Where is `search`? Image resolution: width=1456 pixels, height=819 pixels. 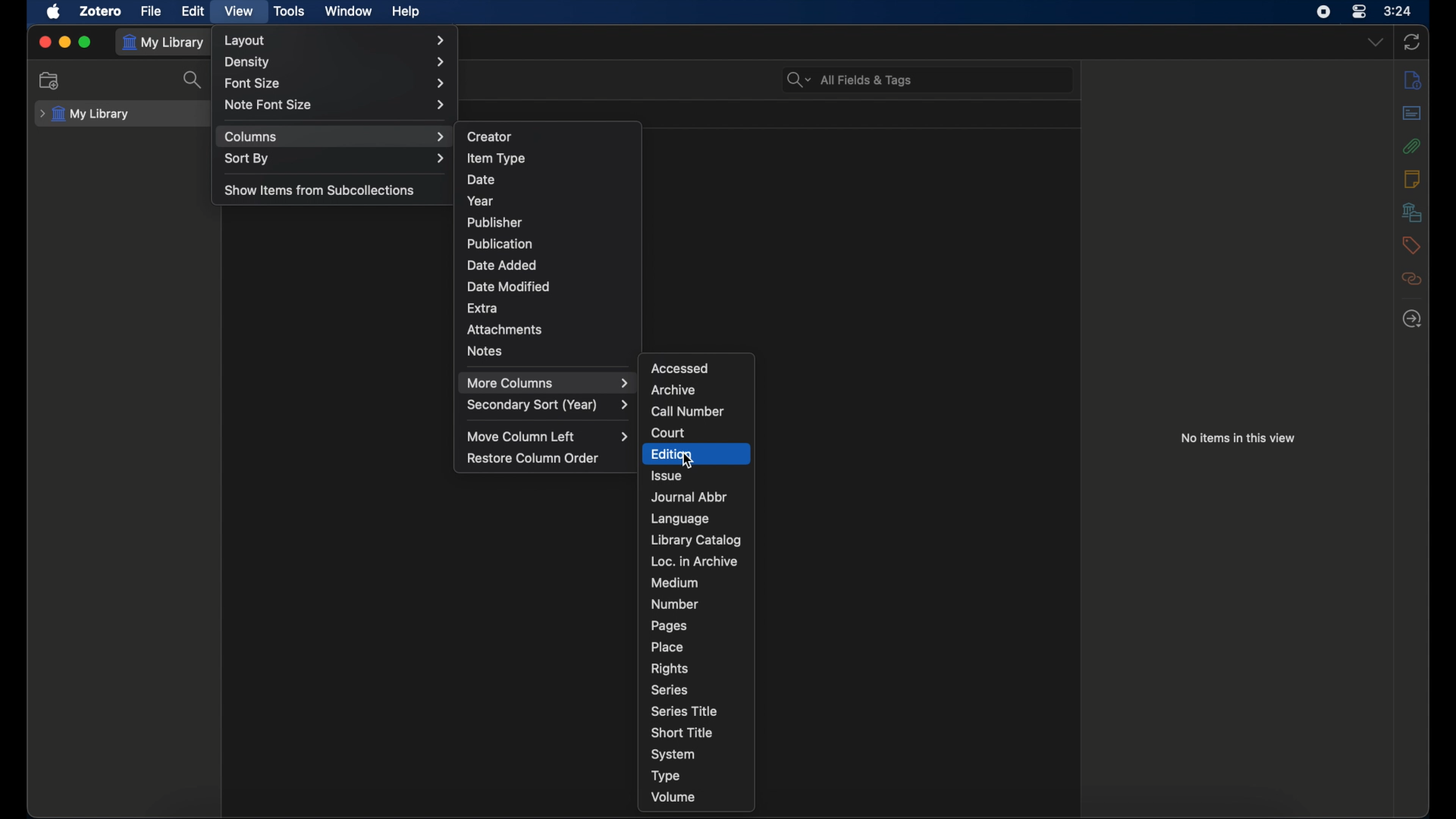
search is located at coordinates (187, 79).